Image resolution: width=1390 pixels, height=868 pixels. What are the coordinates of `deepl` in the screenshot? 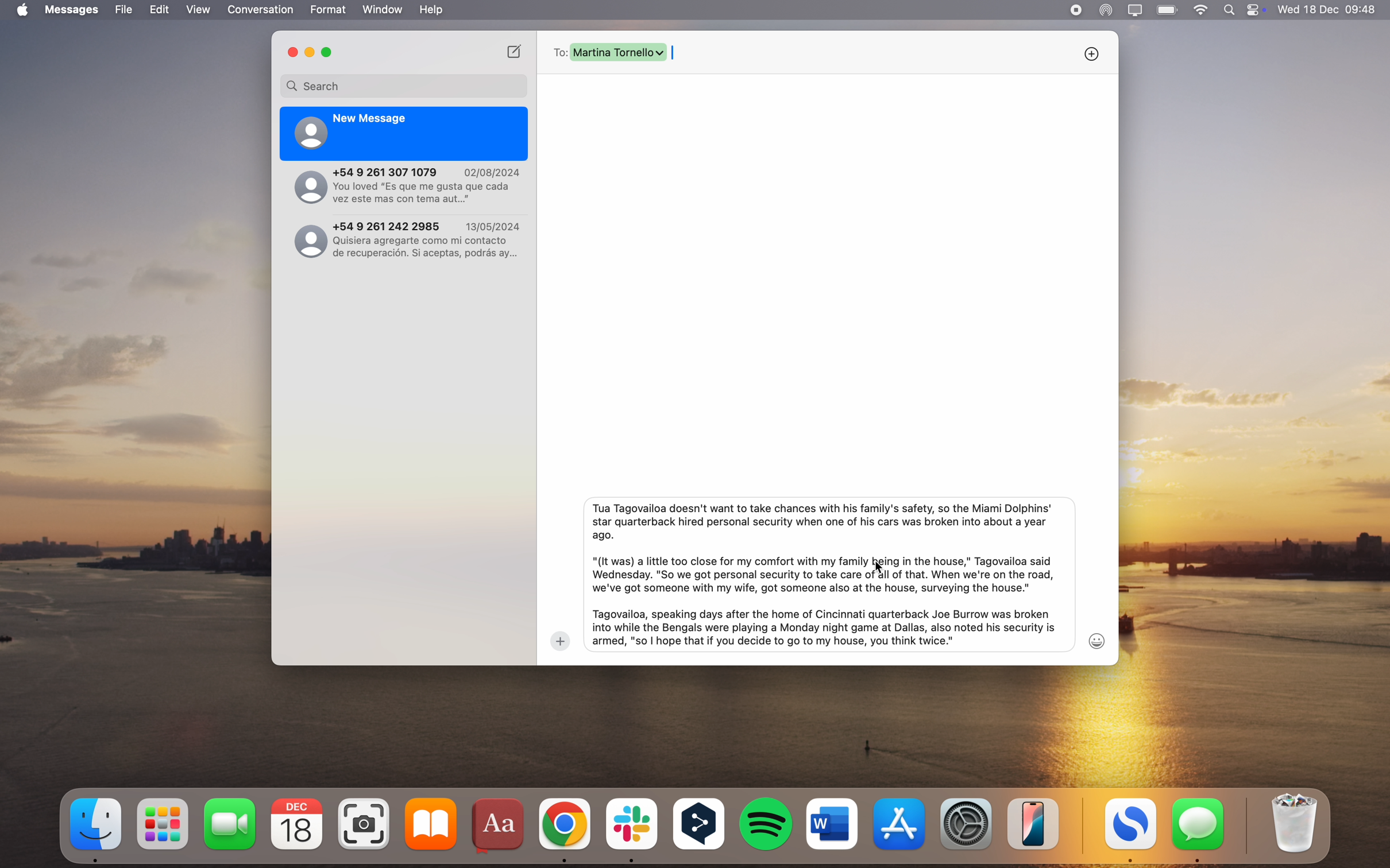 It's located at (700, 826).